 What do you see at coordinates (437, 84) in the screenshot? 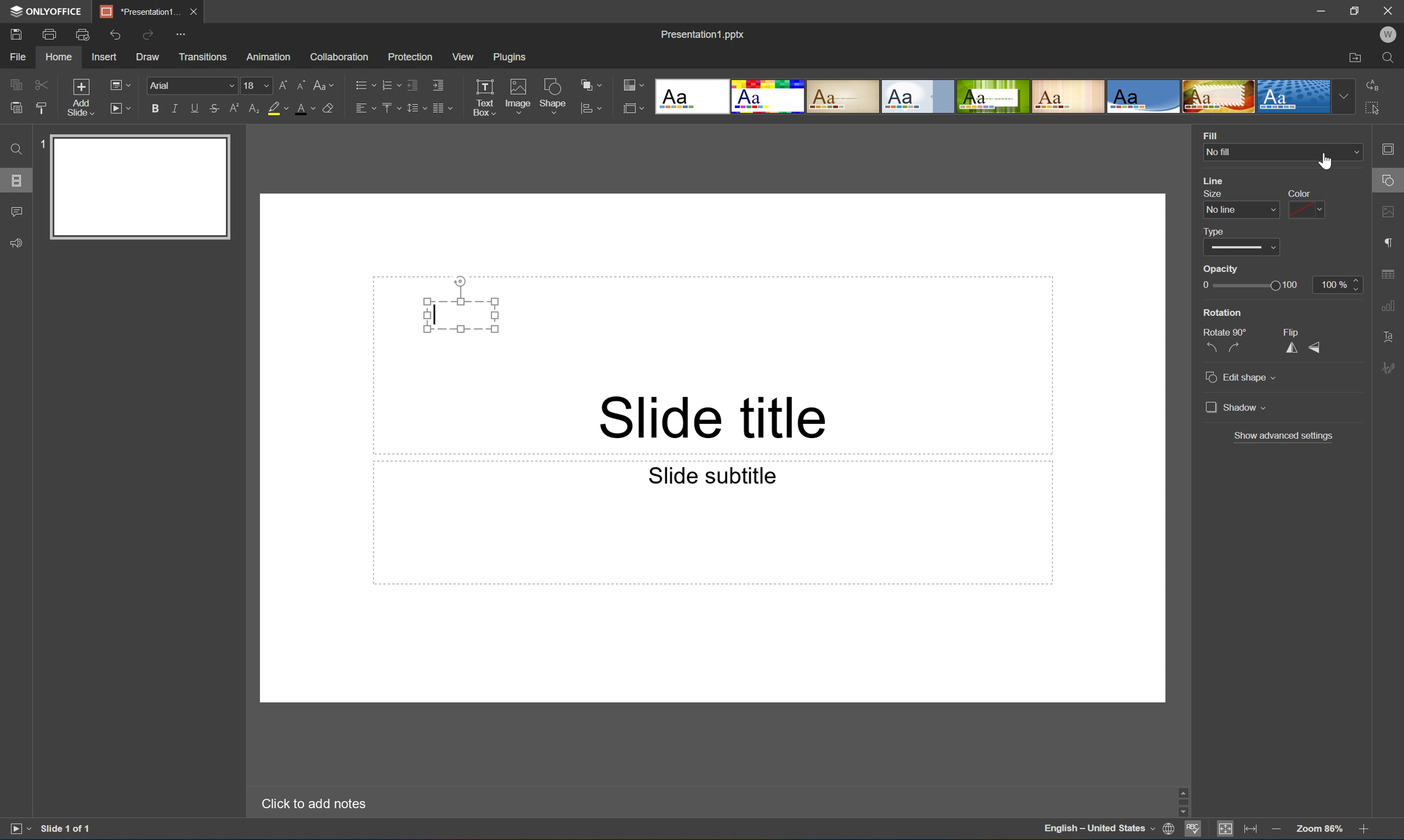
I see `Increase indent` at bounding box center [437, 84].